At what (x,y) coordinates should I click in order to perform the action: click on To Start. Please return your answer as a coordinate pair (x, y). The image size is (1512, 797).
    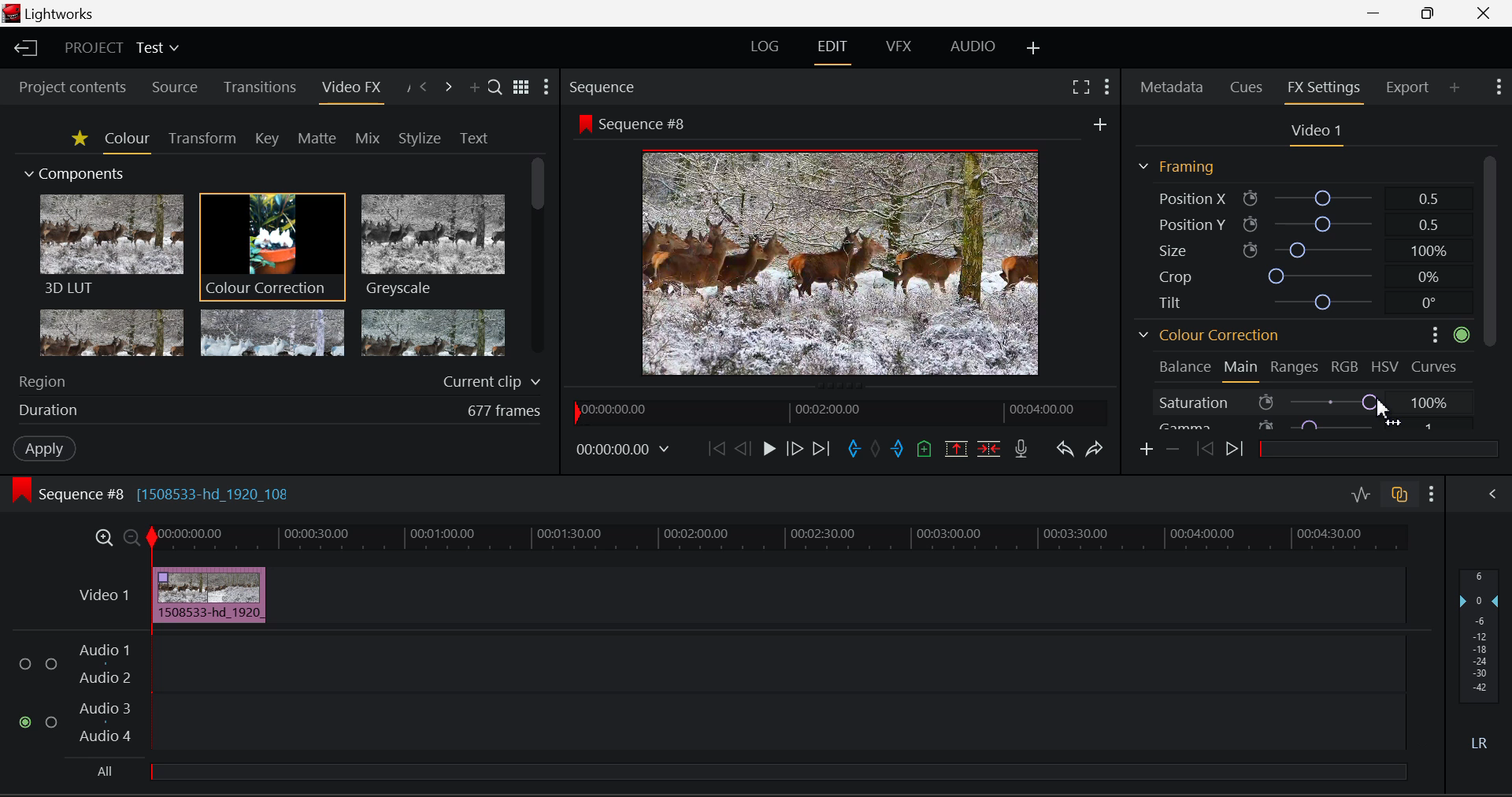
    Looking at the image, I should click on (715, 451).